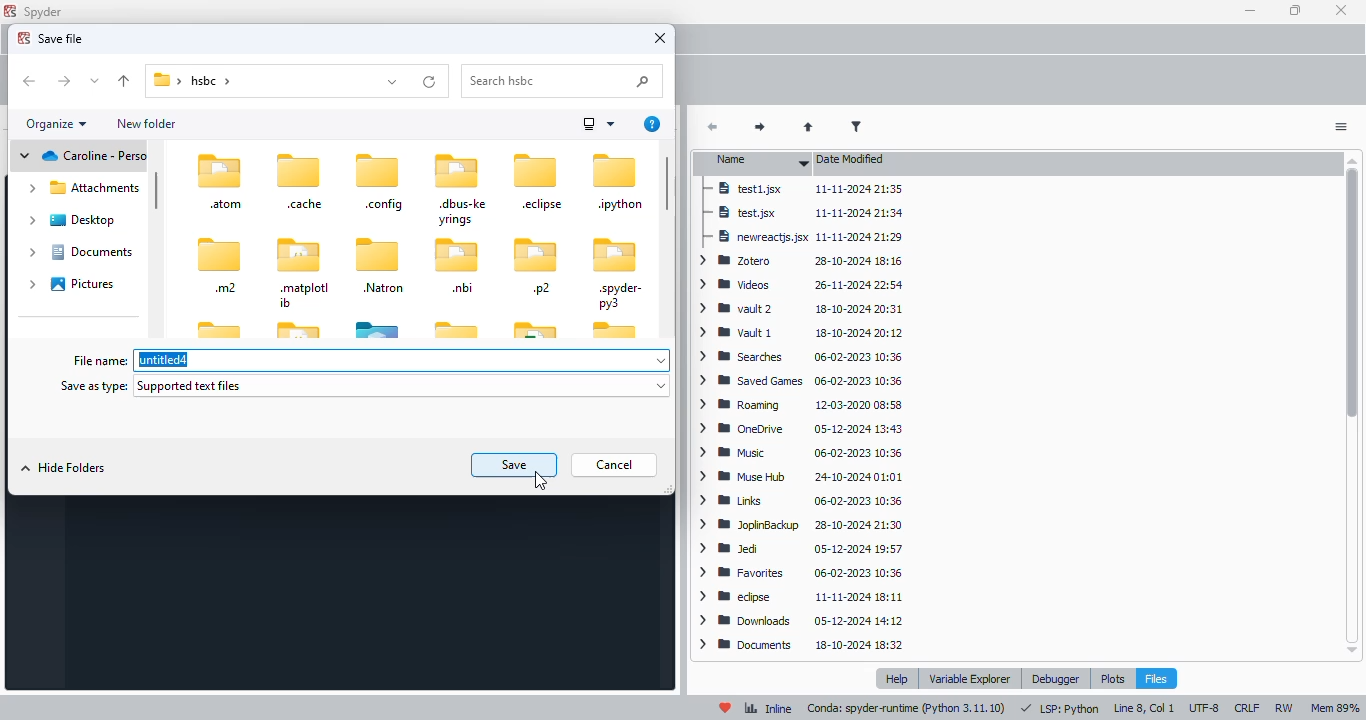 This screenshot has height=720, width=1366. Describe the element at coordinates (81, 285) in the screenshot. I see `pictures` at that location.